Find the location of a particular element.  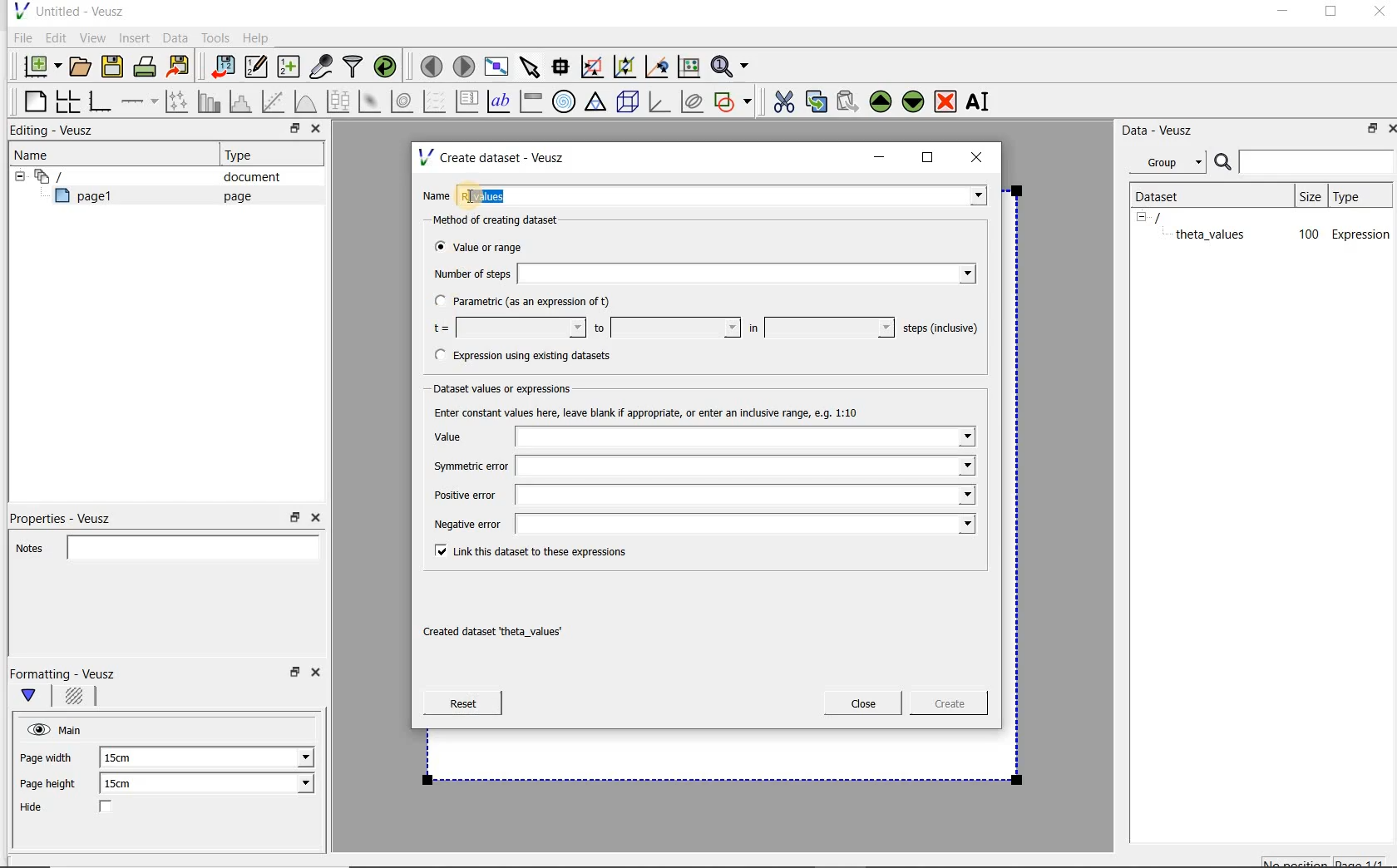

Insert is located at coordinates (136, 37).